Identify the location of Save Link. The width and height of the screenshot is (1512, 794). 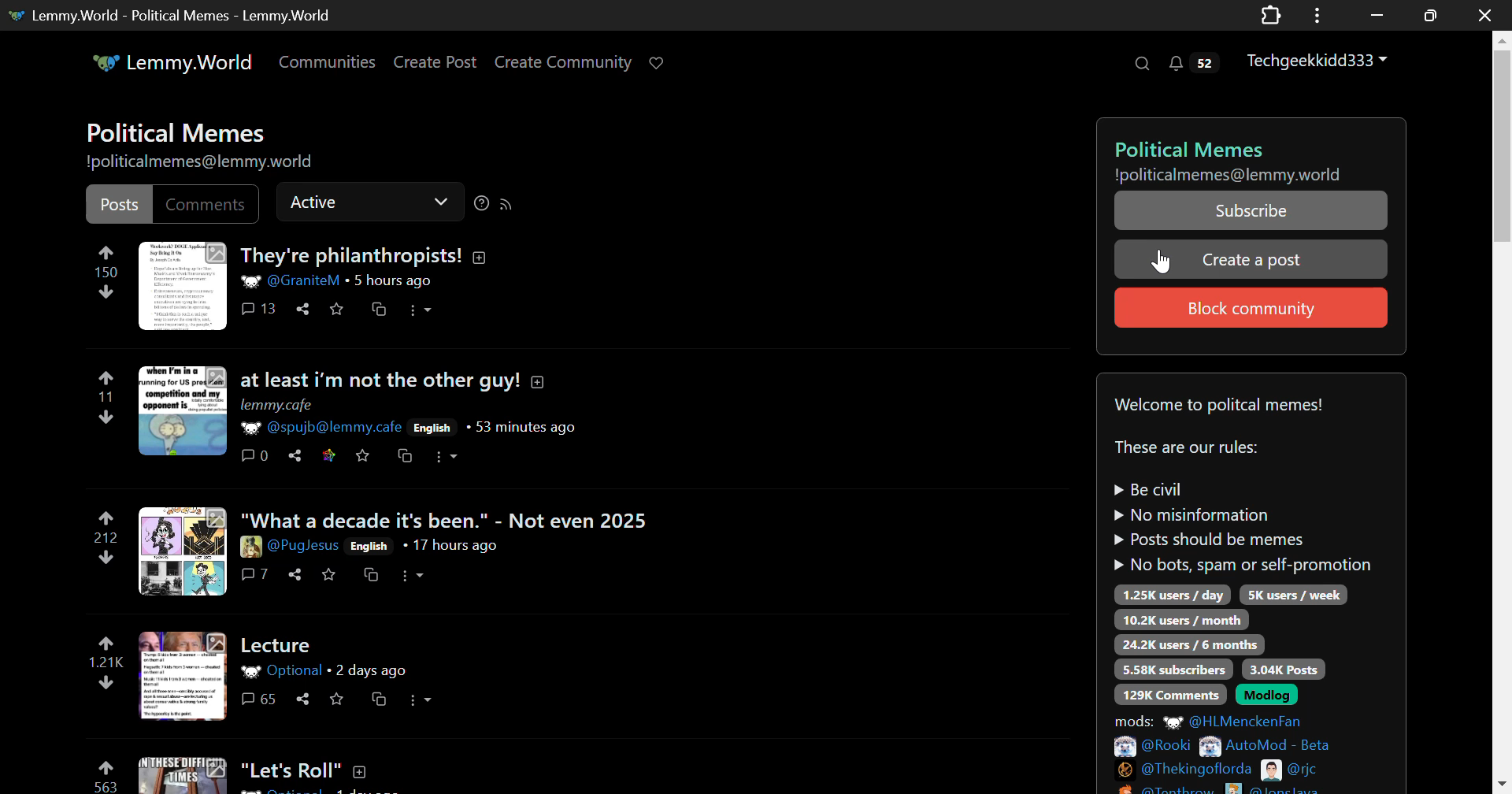
(328, 456).